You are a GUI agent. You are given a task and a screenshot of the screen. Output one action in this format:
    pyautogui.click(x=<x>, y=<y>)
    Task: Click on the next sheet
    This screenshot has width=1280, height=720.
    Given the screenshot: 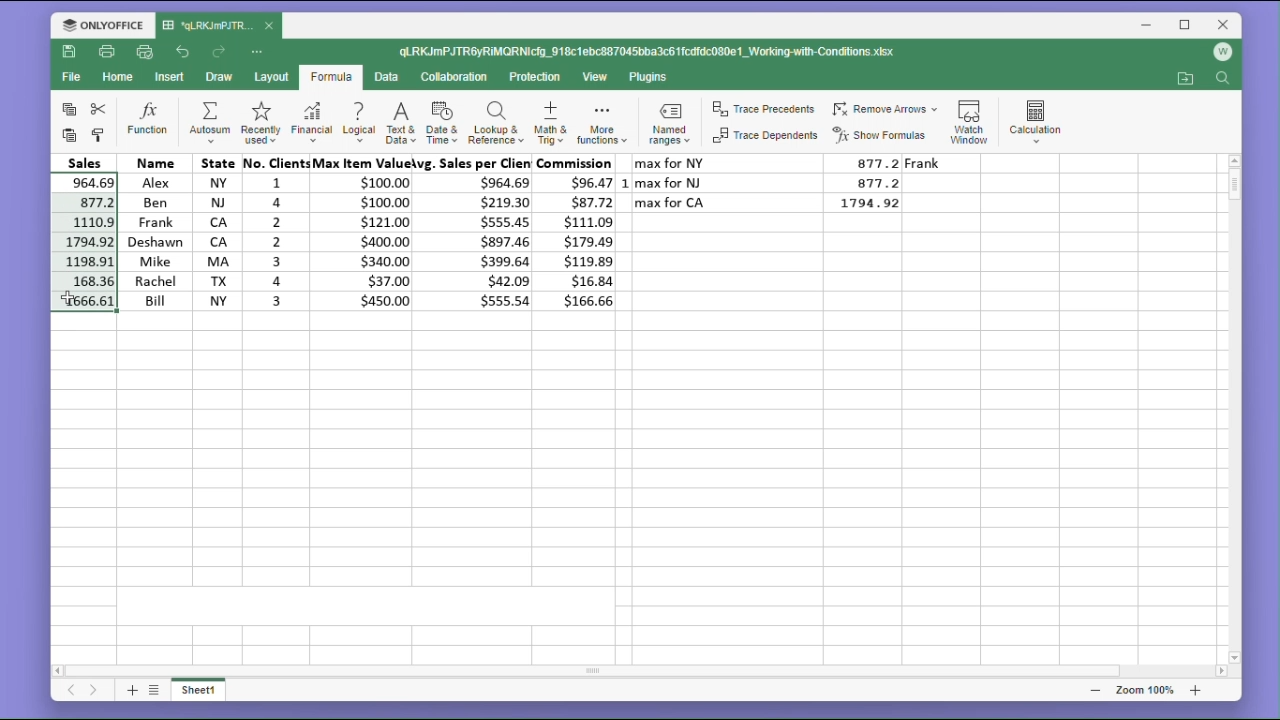 What is the action you would take?
    pyautogui.click(x=93, y=692)
    